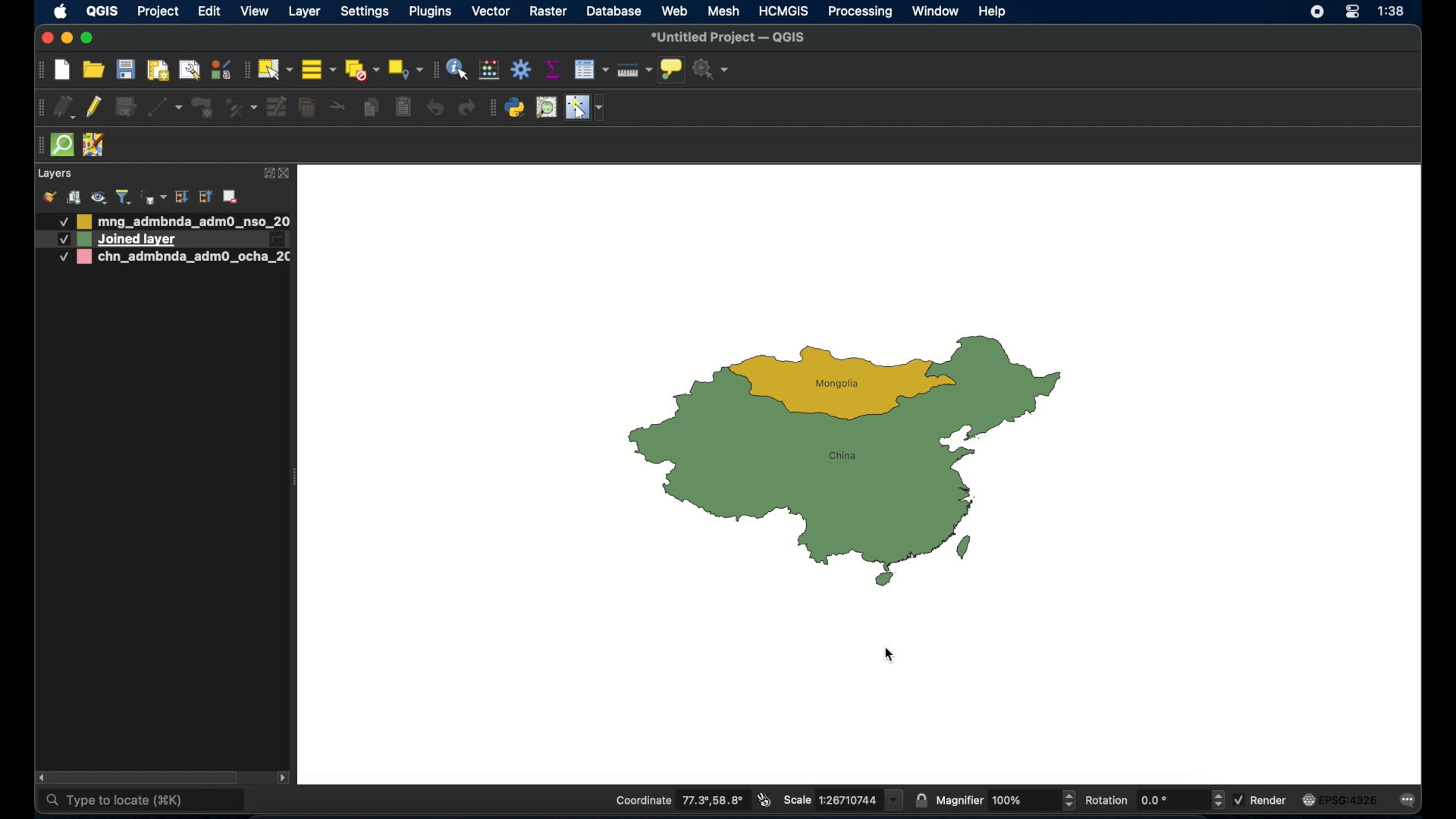 The image size is (1456, 819). What do you see at coordinates (148, 777) in the screenshot?
I see `scroll box` at bounding box center [148, 777].